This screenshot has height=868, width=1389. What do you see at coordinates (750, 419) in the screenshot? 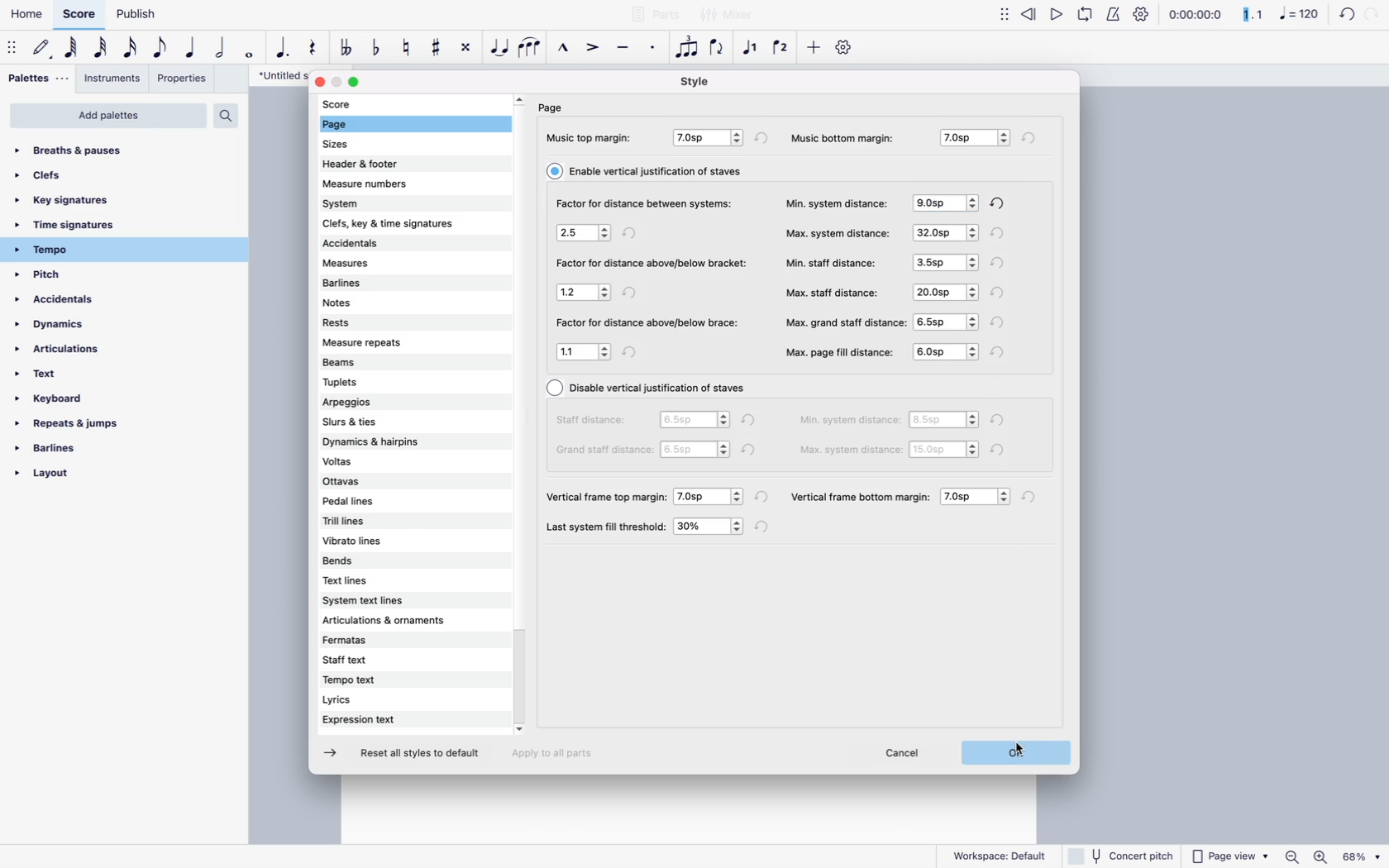
I see `refresh` at bounding box center [750, 419].